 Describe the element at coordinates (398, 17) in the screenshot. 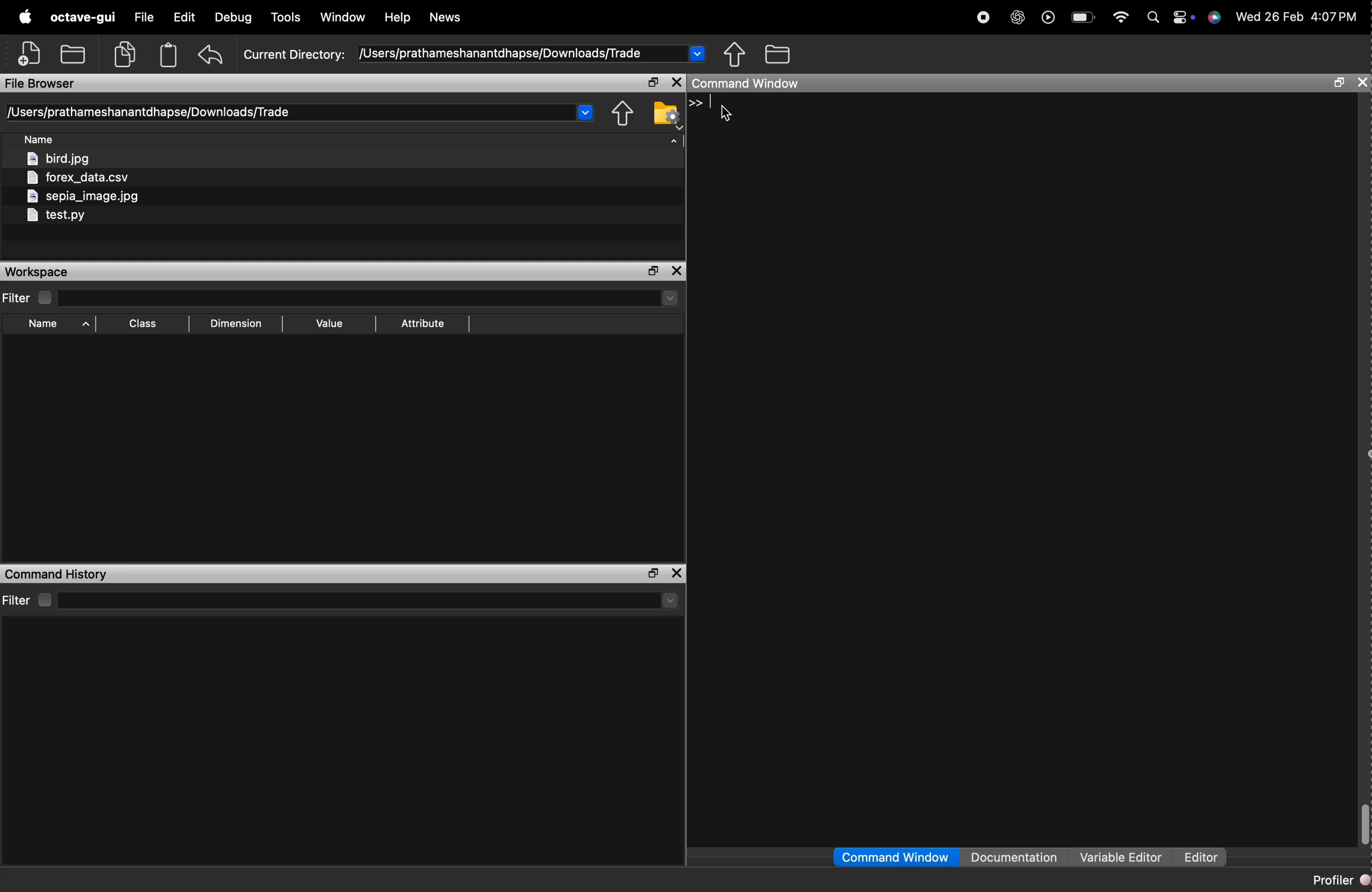

I see `Help` at that location.